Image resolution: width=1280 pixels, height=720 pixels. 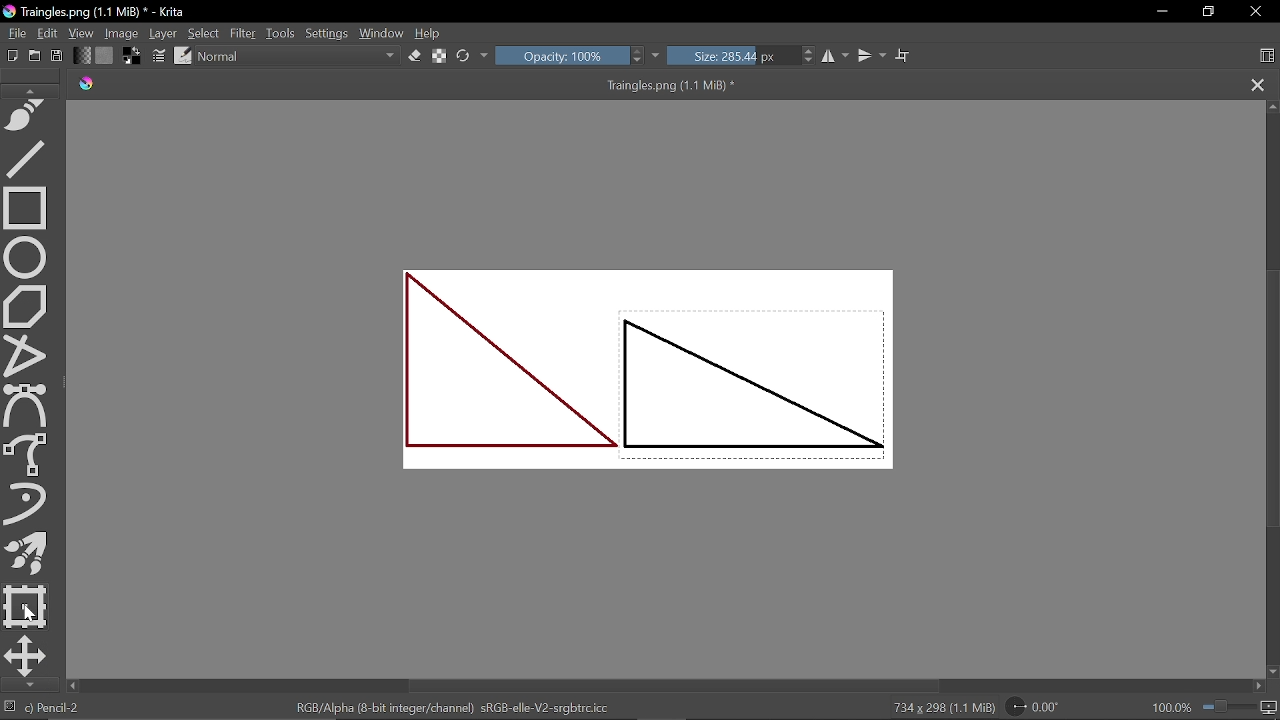 What do you see at coordinates (441, 56) in the screenshot?
I see `Preserve alpha` at bounding box center [441, 56].